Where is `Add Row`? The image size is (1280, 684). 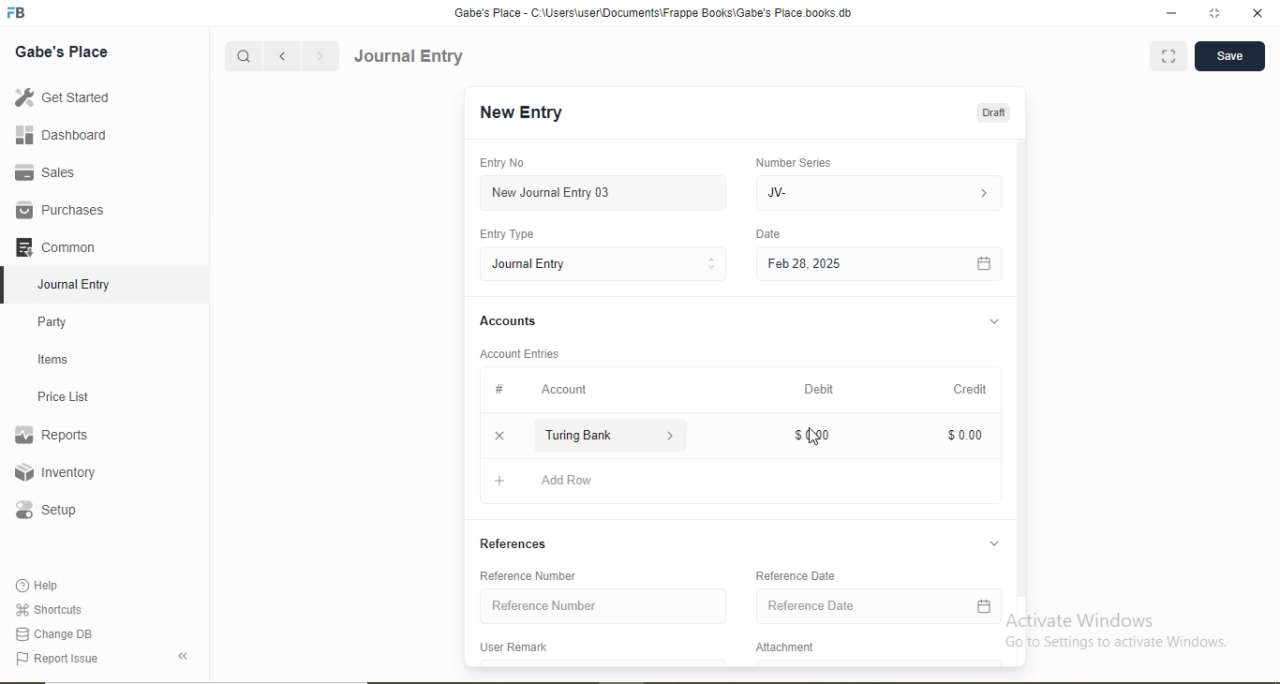
Add Row is located at coordinates (567, 479).